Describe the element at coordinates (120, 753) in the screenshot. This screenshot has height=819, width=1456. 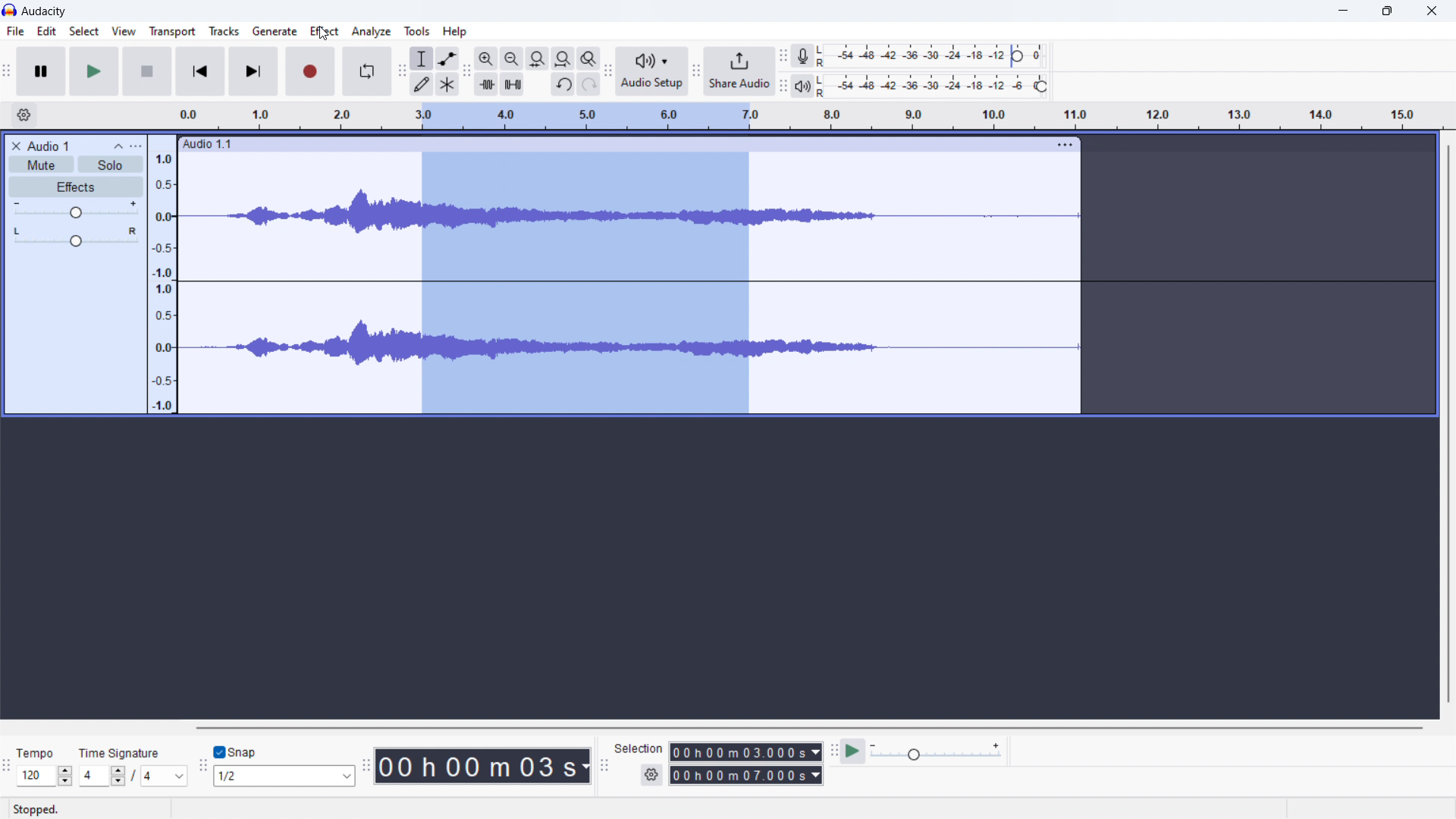
I see `time signature` at that location.